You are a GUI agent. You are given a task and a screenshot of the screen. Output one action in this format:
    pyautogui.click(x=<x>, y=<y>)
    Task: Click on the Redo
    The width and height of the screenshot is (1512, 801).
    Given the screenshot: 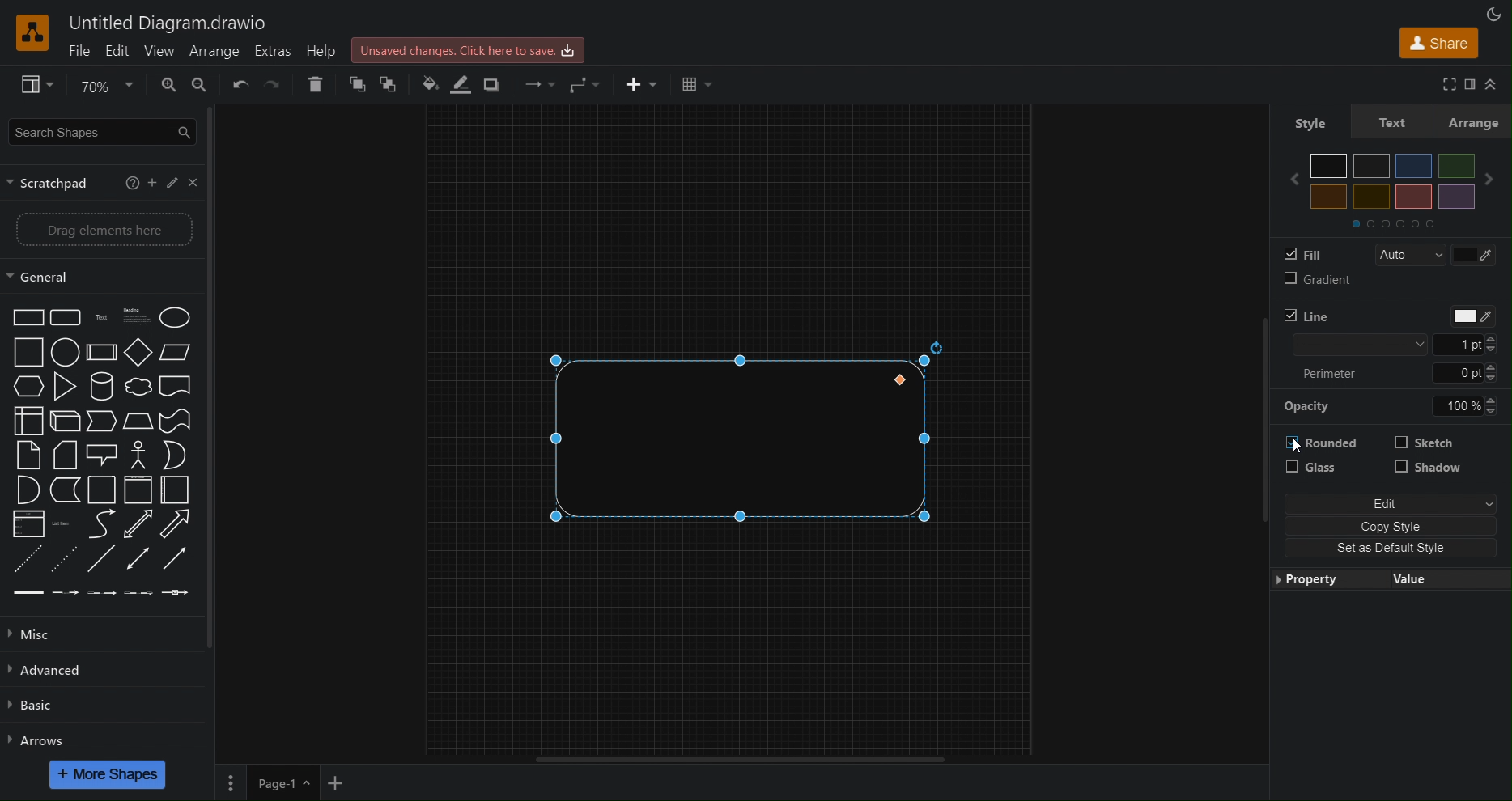 What is the action you would take?
    pyautogui.click(x=274, y=87)
    